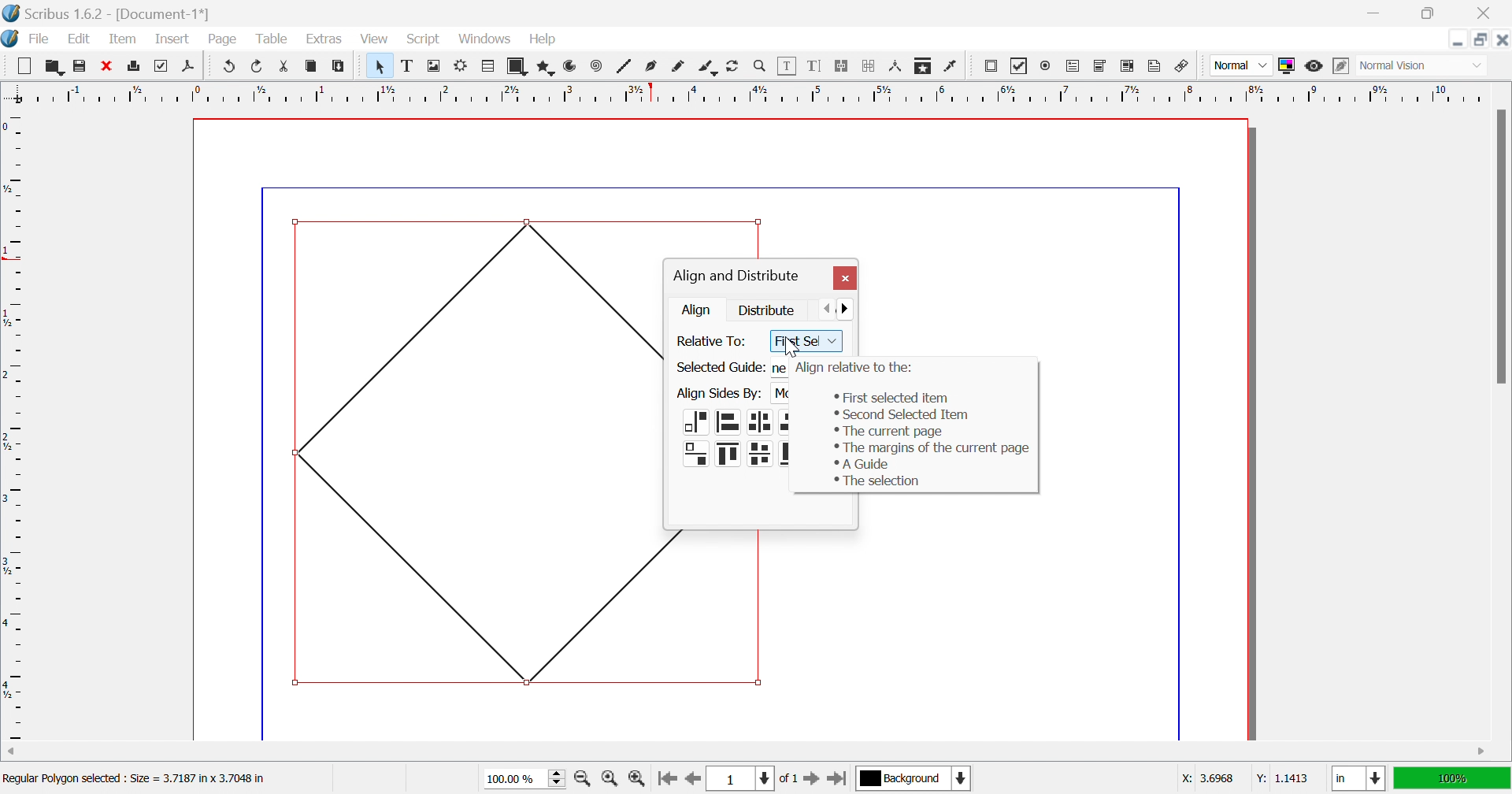 This screenshot has width=1512, height=794. What do you see at coordinates (780, 396) in the screenshot?
I see `M` at bounding box center [780, 396].